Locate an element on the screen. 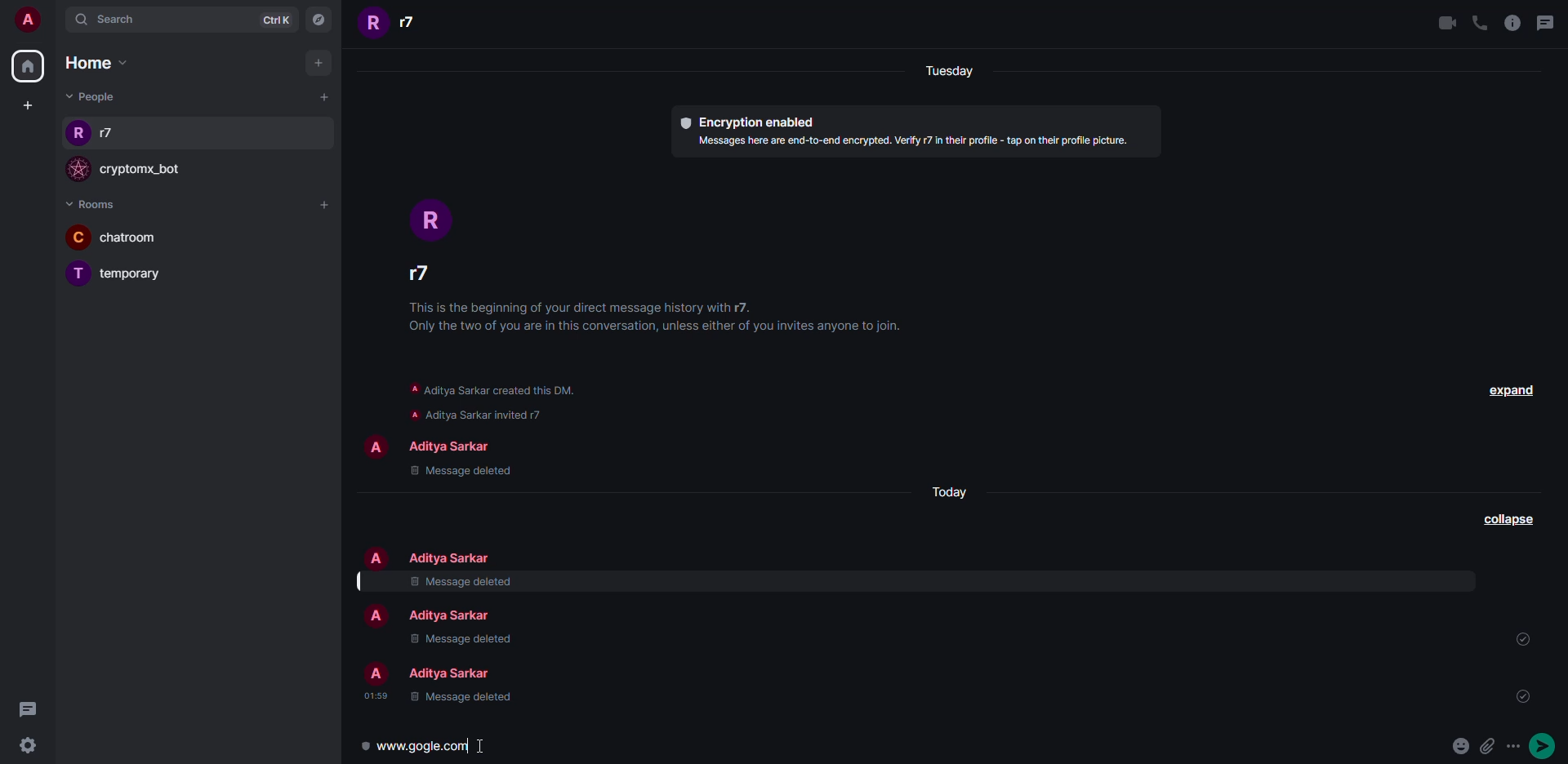  attach is located at coordinates (1489, 744).